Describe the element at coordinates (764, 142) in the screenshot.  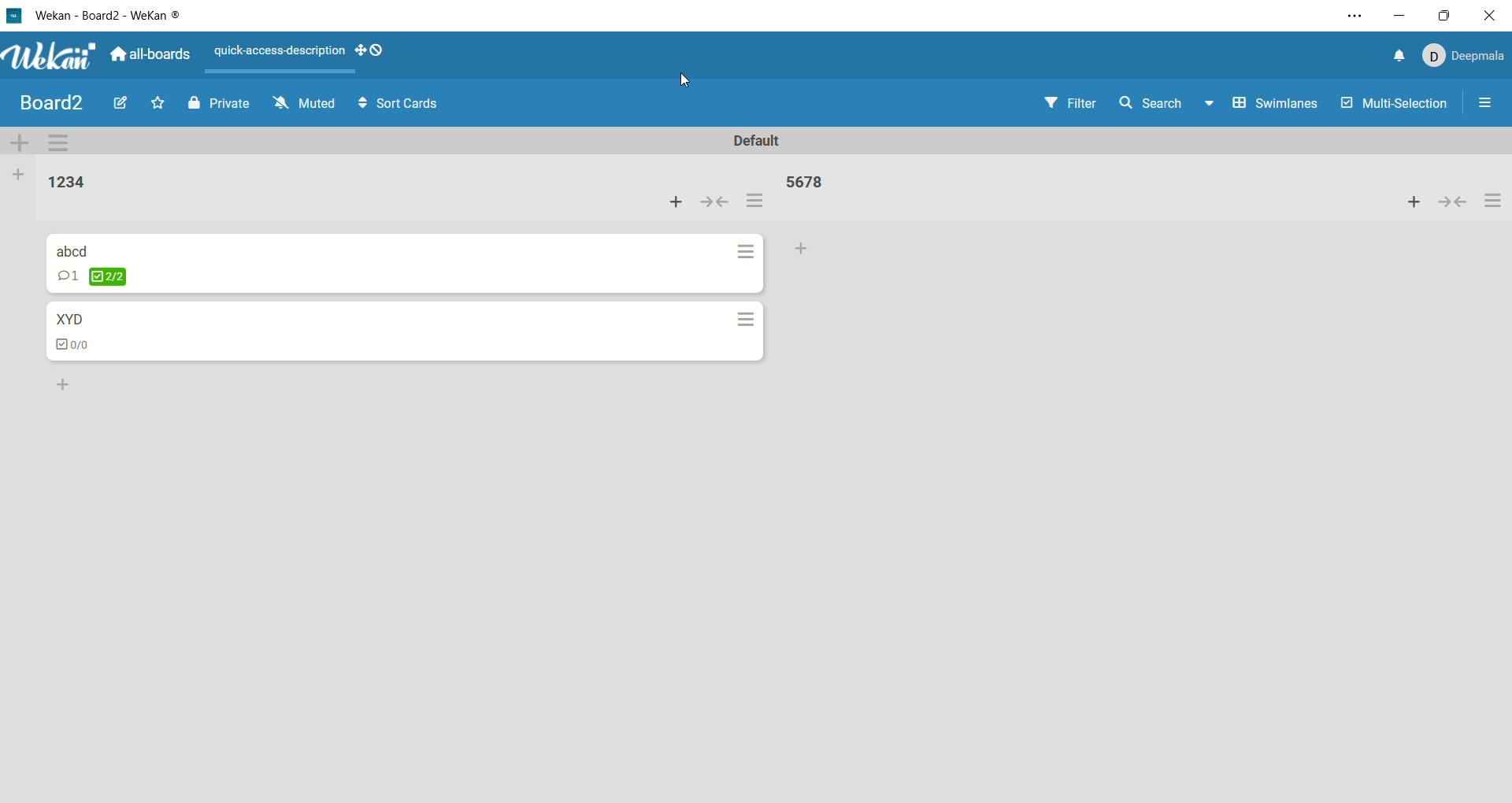
I see `default` at that location.